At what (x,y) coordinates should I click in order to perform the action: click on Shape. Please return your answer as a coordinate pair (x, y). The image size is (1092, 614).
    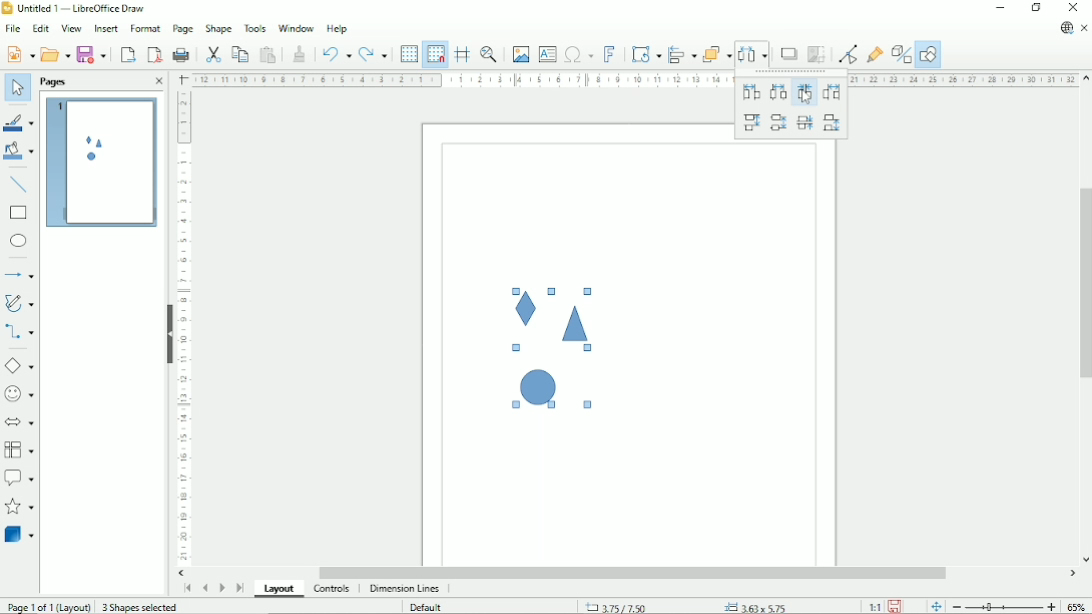
    Looking at the image, I should click on (218, 29).